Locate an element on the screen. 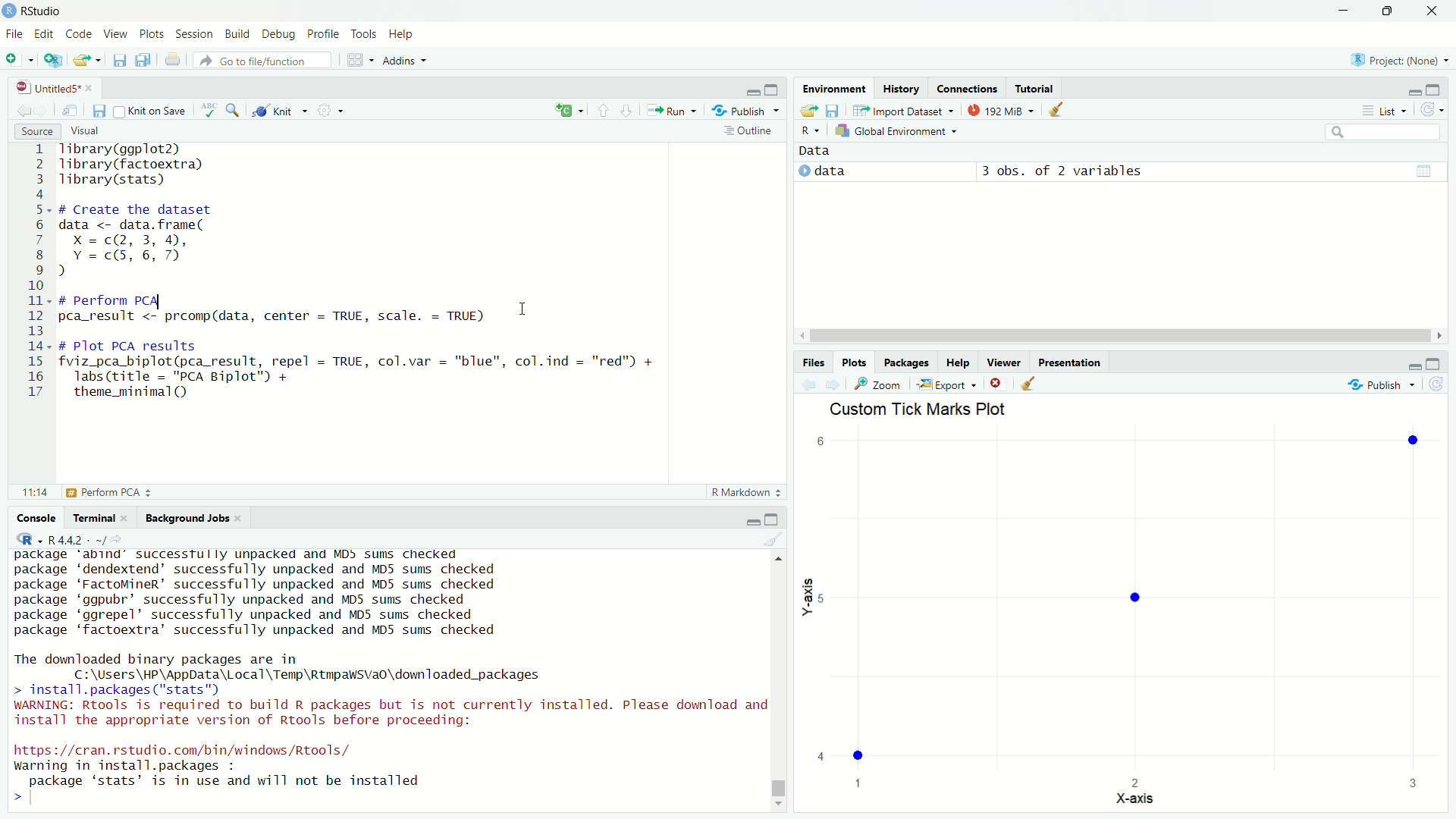  Packages is located at coordinates (908, 362).